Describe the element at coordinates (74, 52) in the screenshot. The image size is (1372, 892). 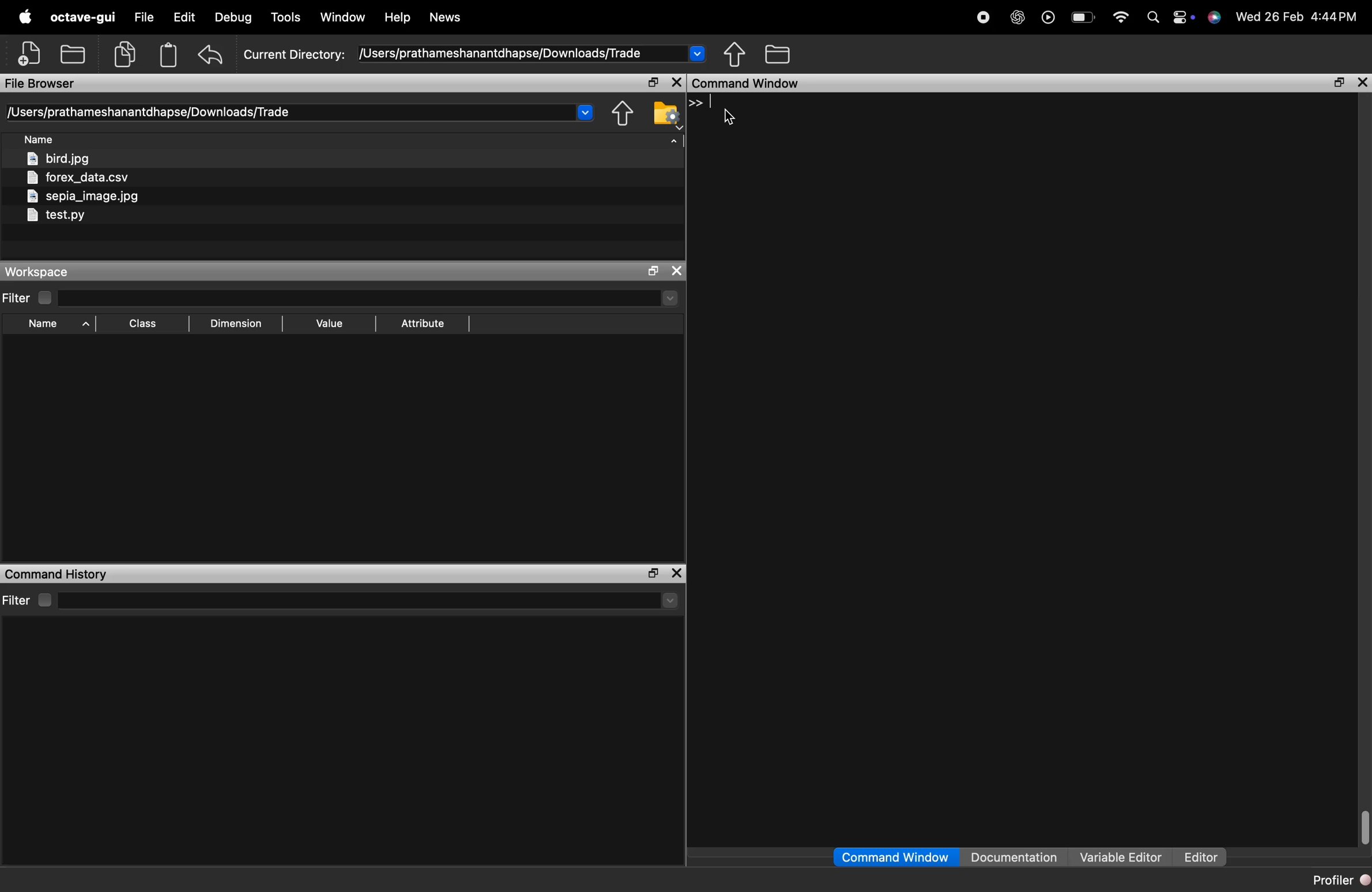
I see `open folder` at that location.